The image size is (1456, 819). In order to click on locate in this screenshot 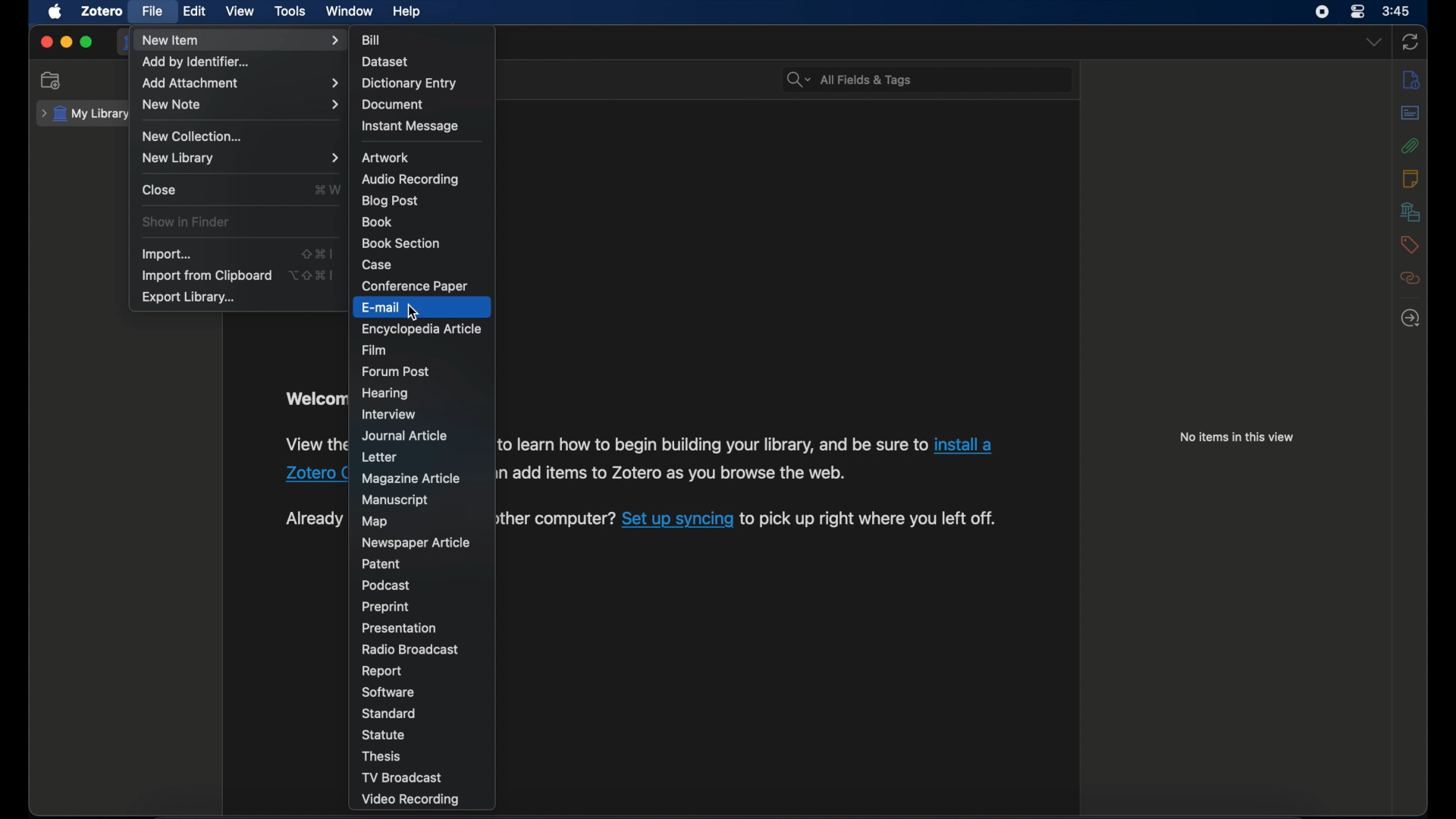, I will do `click(1409, 318)`.